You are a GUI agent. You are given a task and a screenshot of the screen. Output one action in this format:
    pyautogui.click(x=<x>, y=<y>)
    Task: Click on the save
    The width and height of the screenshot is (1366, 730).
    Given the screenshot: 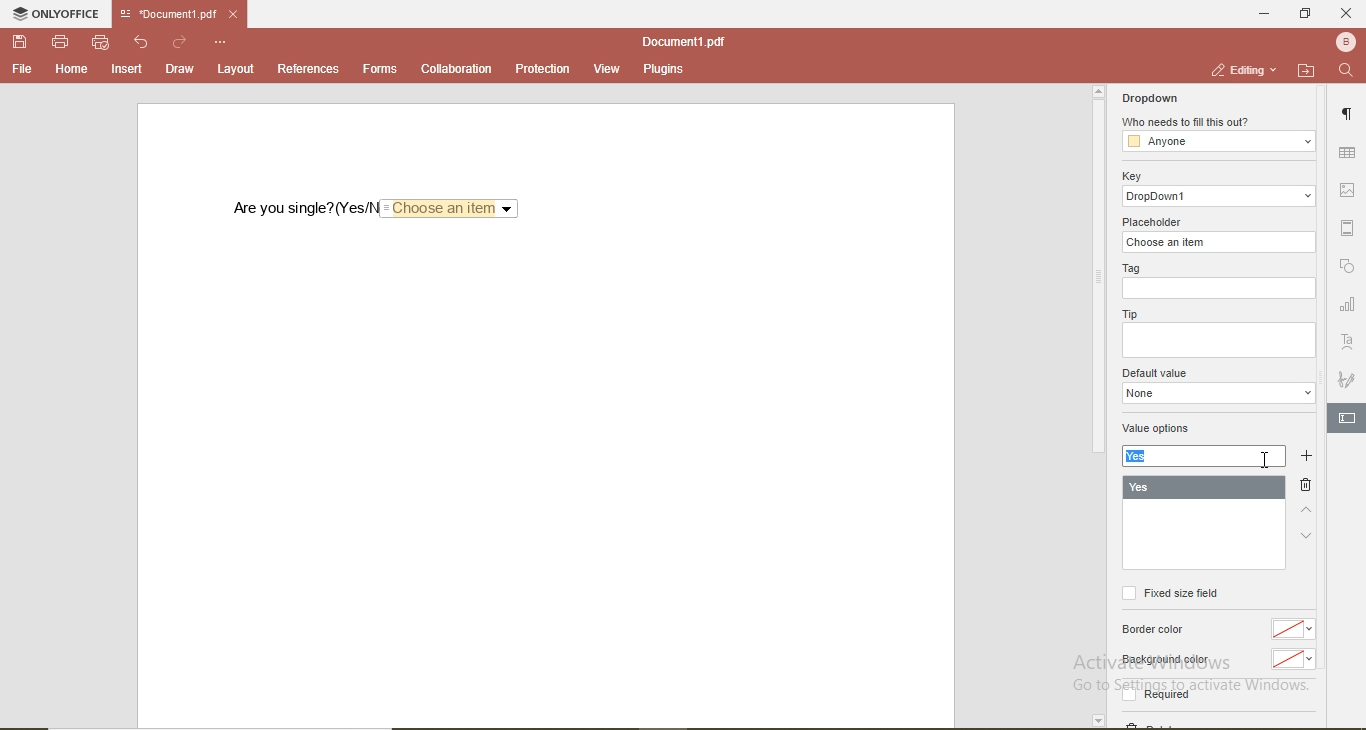 What is the action you would take?
    pyautogui.click(x=20, y=42)
    